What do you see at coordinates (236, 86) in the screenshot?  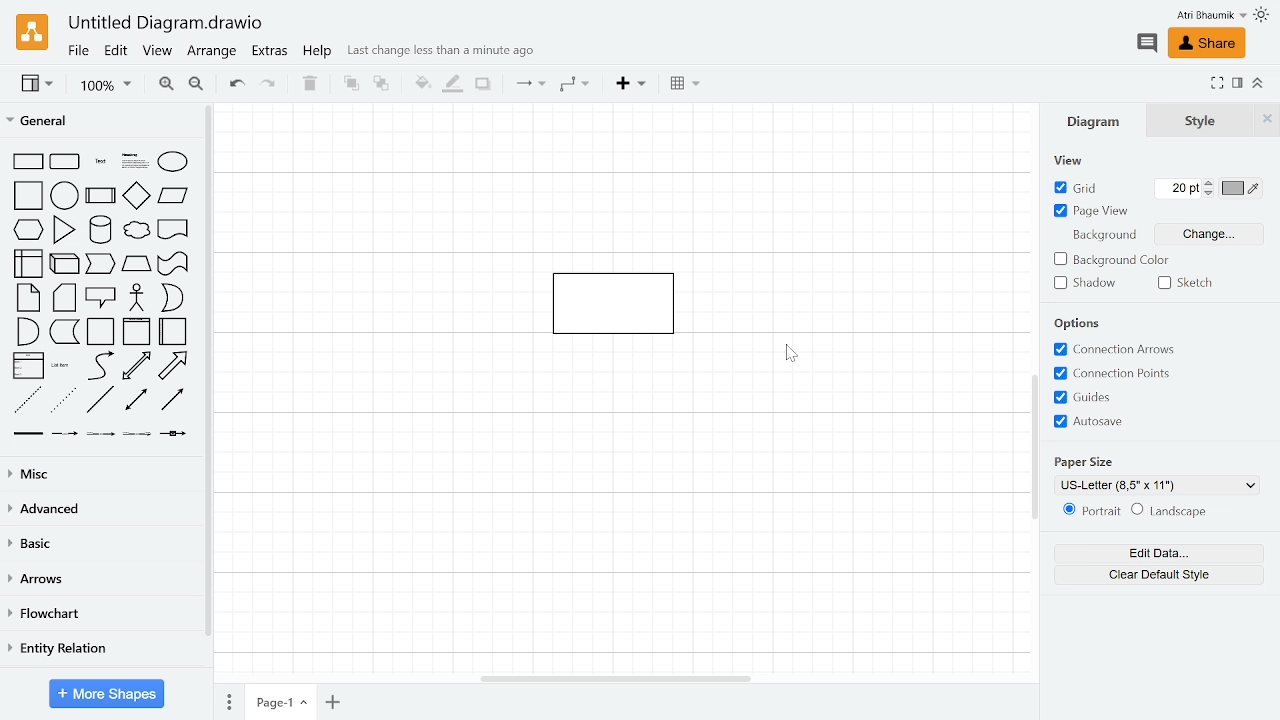 I see `Undo` at bounding box center [236, 86].